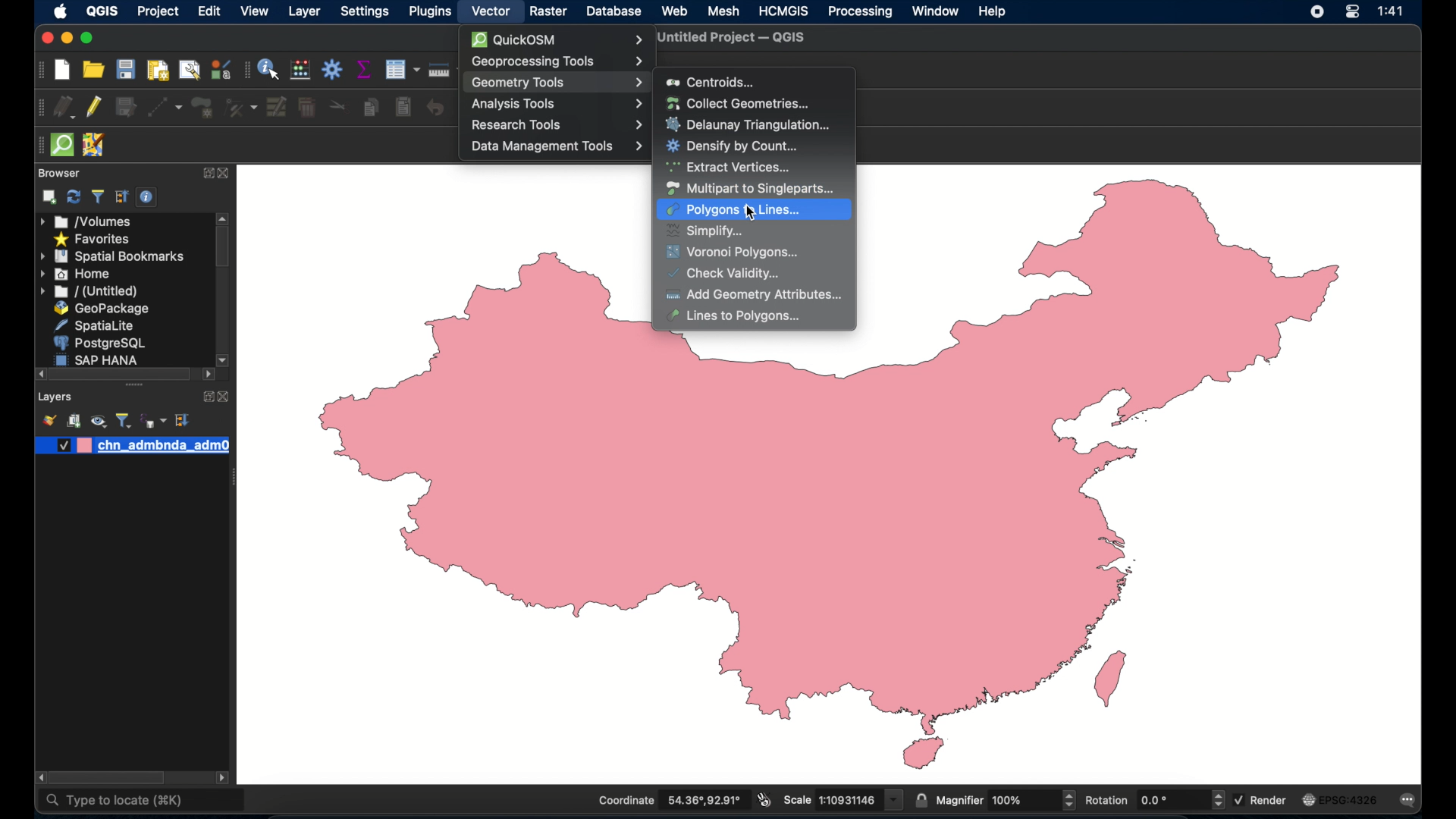  What do you see at coordinates (48, 419) in the screenshot?
I see `open layer styling panel` at bounding box center [48, 419].